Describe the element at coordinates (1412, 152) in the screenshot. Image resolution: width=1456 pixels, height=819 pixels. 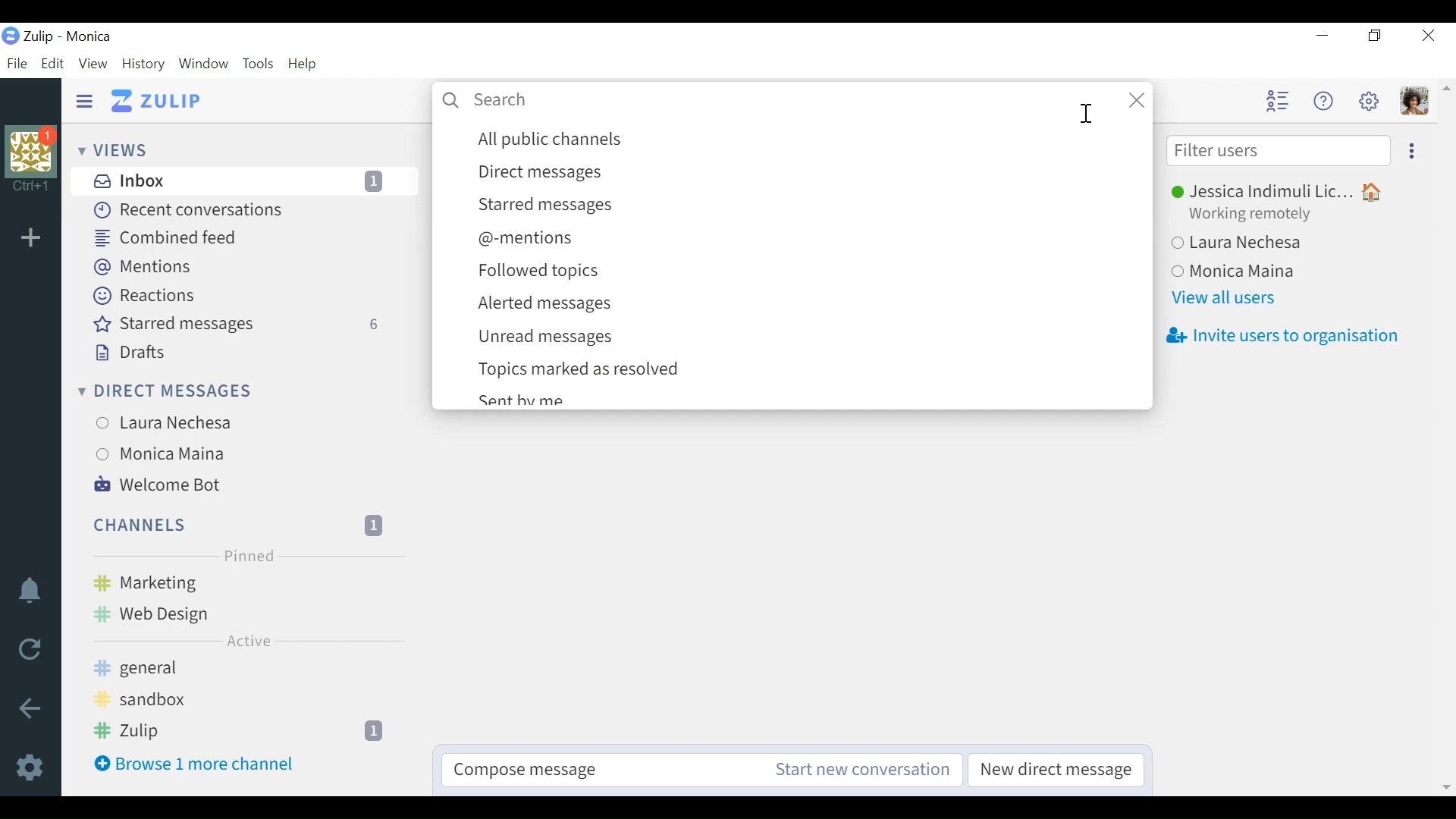
I see `Ellipsis` at that location.